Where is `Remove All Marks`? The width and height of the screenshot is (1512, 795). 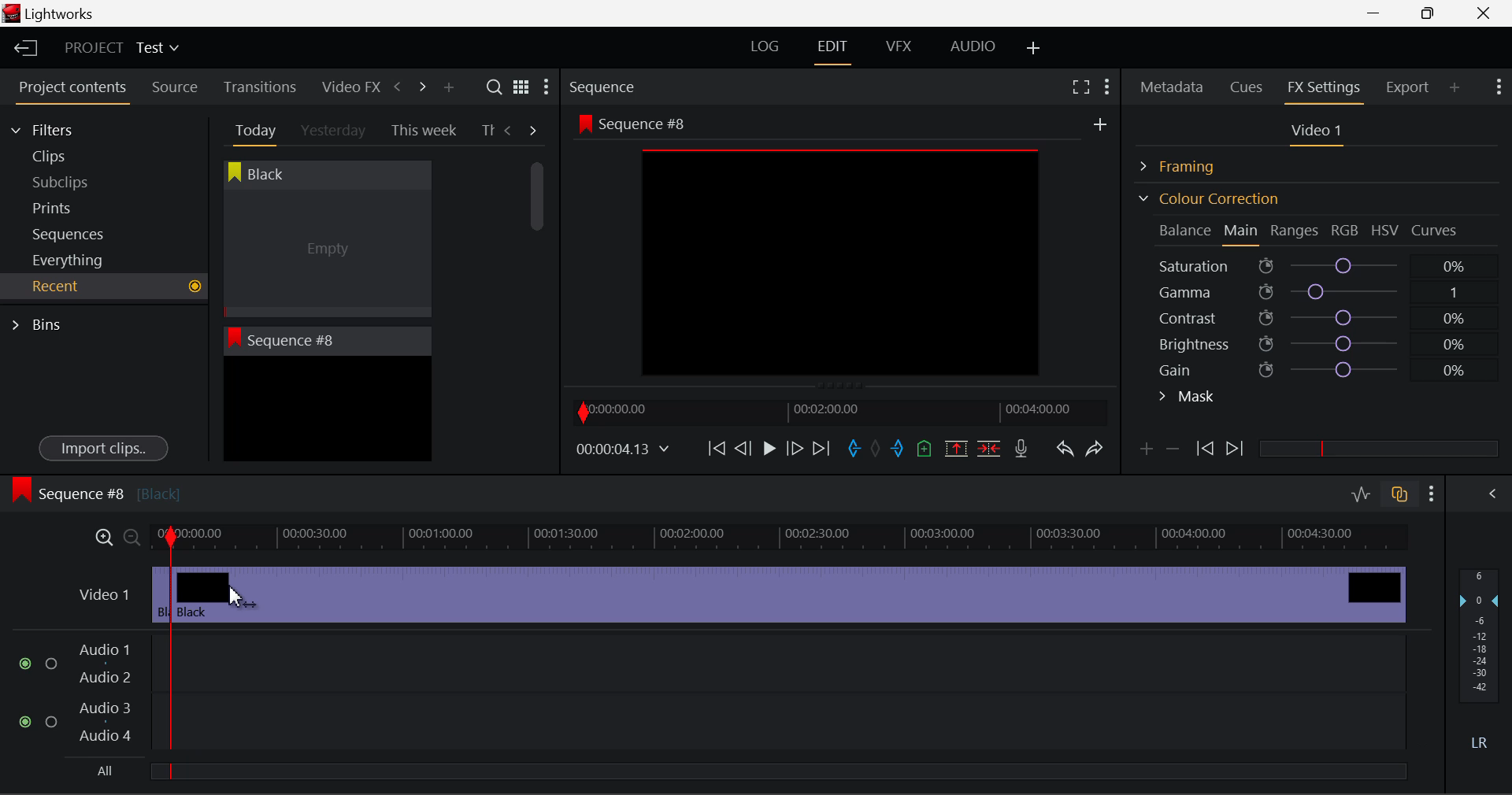 Remove All Marks is located at coordinates (877, 450).